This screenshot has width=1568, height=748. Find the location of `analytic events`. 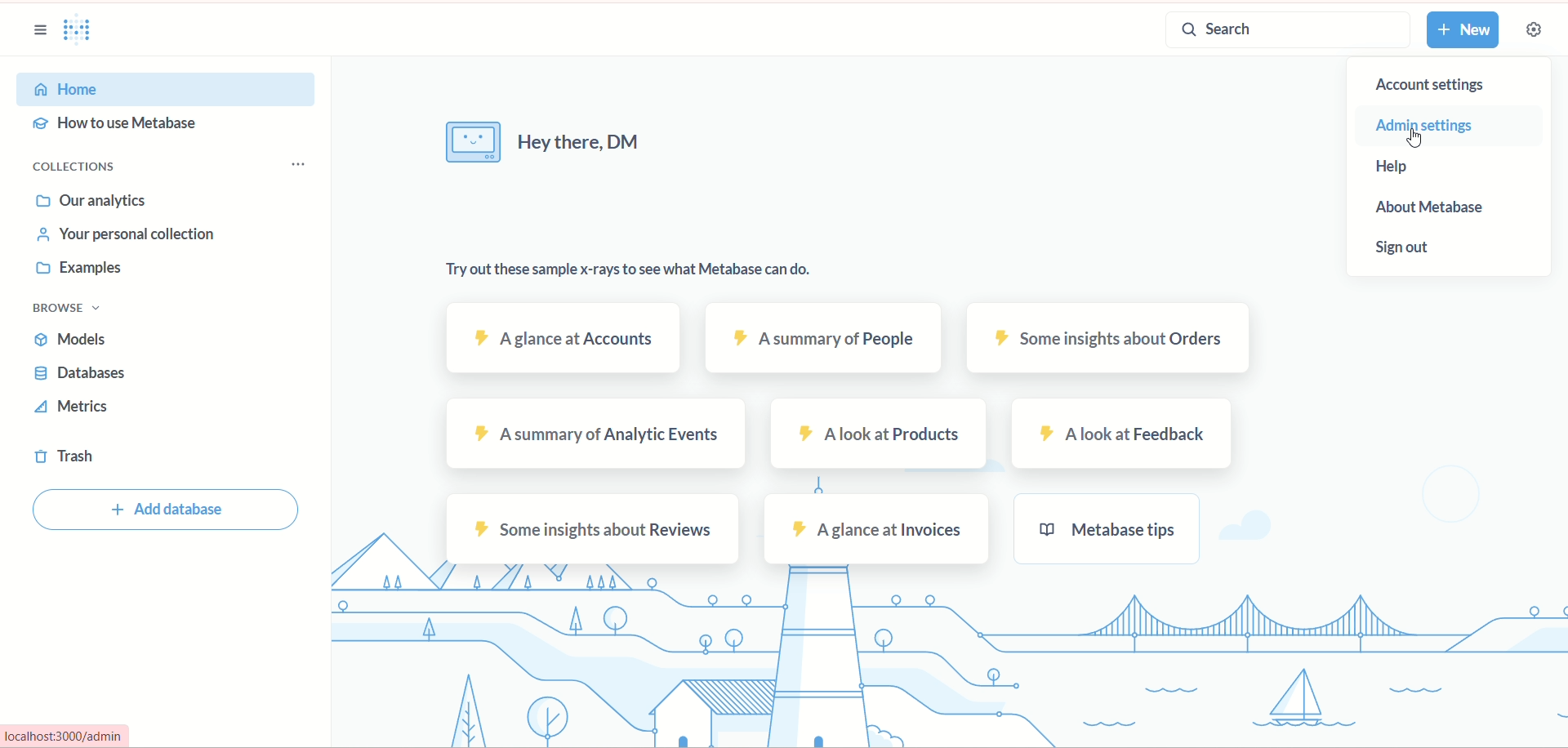

analytic events is located at coordinates (595, 434).